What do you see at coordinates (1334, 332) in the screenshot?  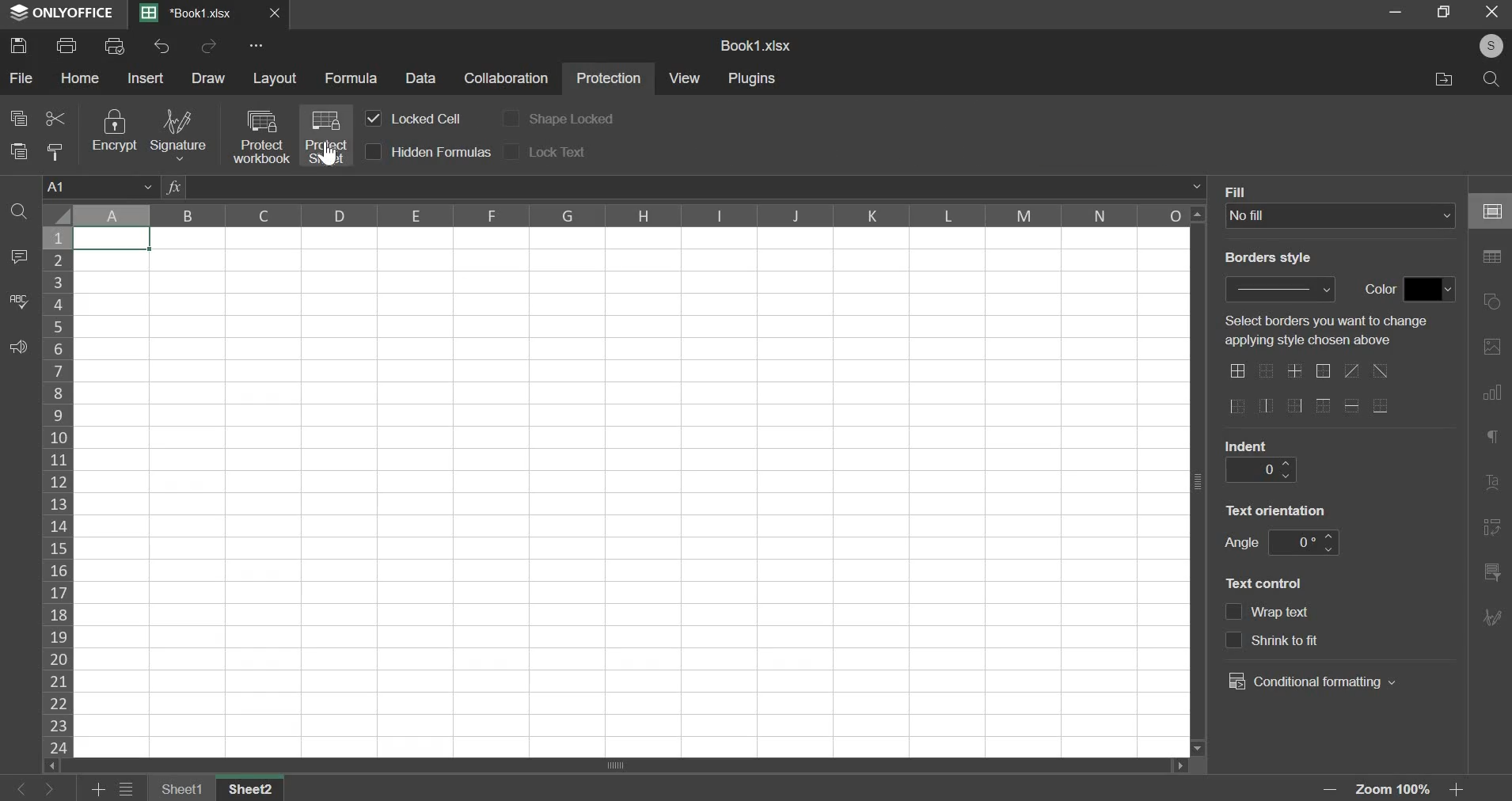 I see `text` at bounding box center [1334, 332].